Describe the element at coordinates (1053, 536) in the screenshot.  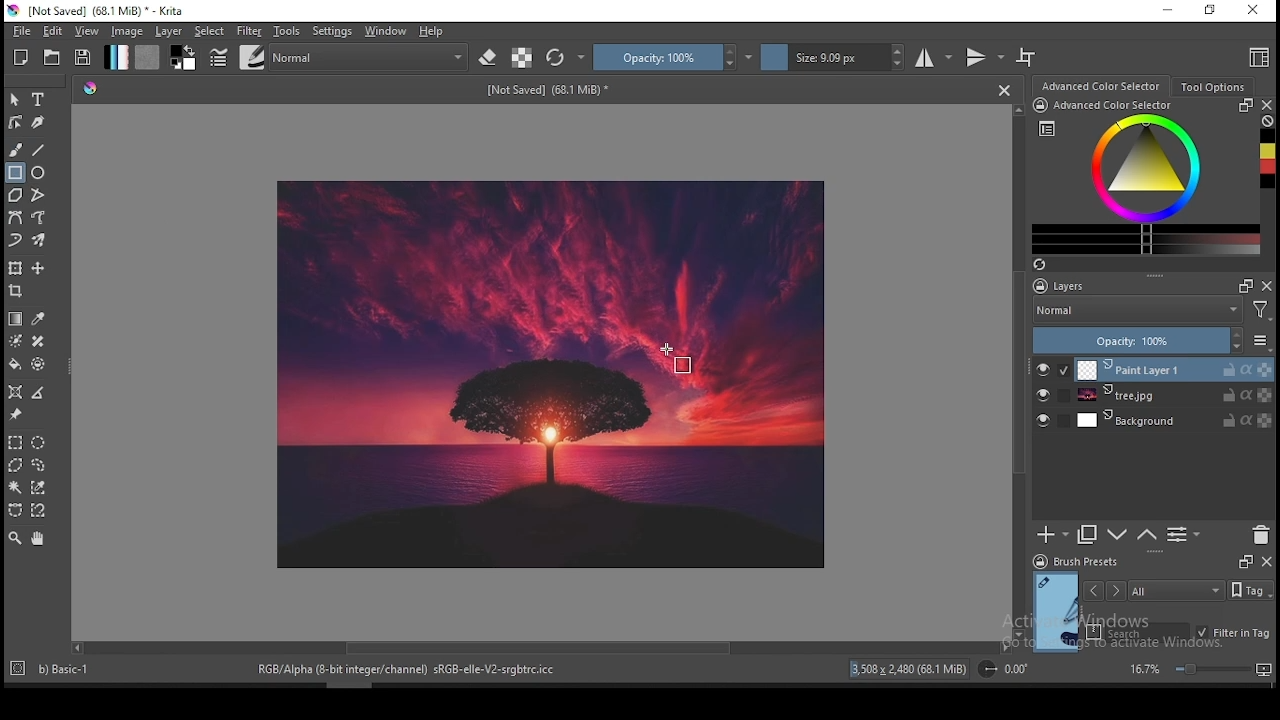
I see `new layer` at that location.